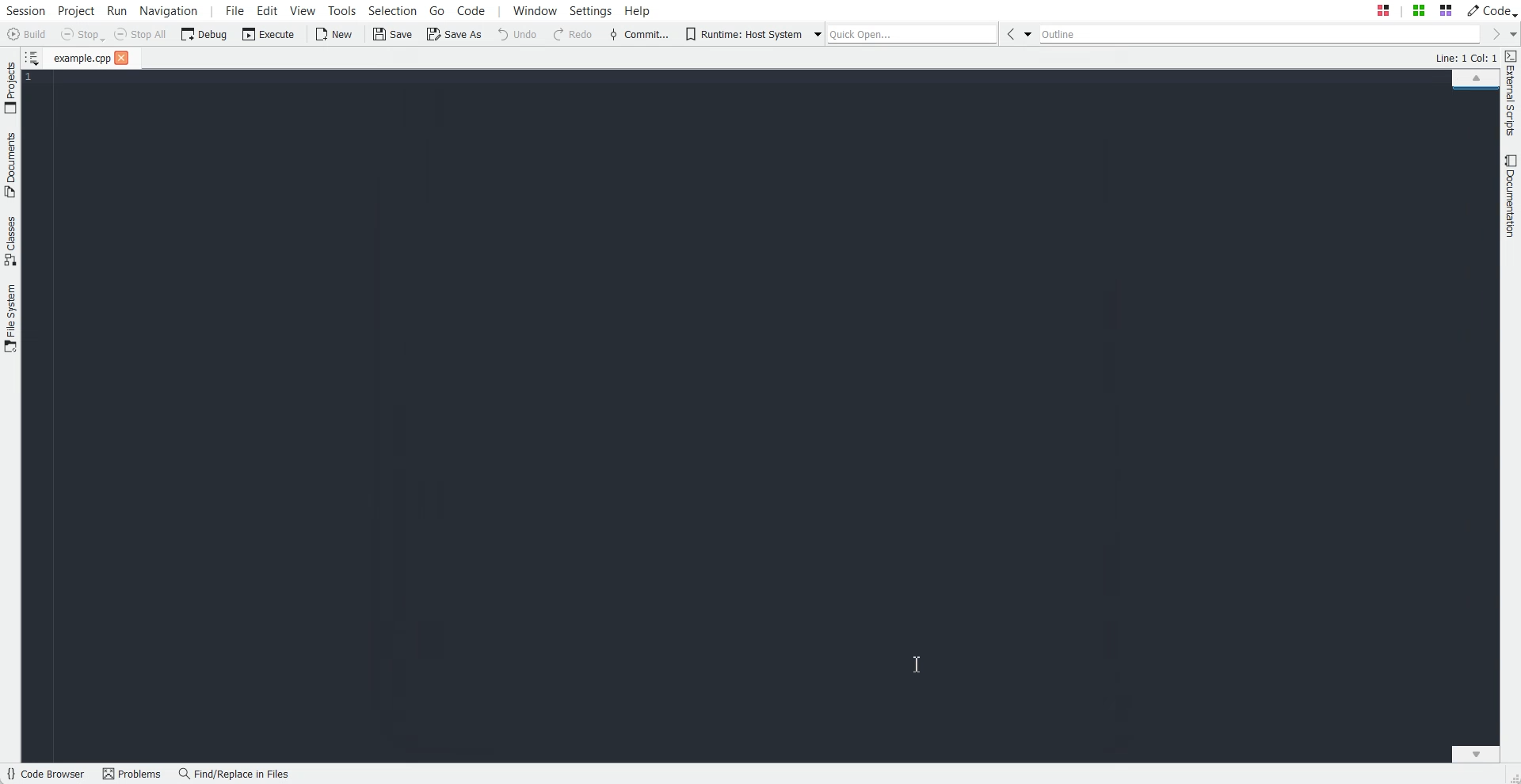  What do you see at coordinates (235, 774) in the screenshot?
I see `Find/Replace in Files` at bounding box center [235, 774].